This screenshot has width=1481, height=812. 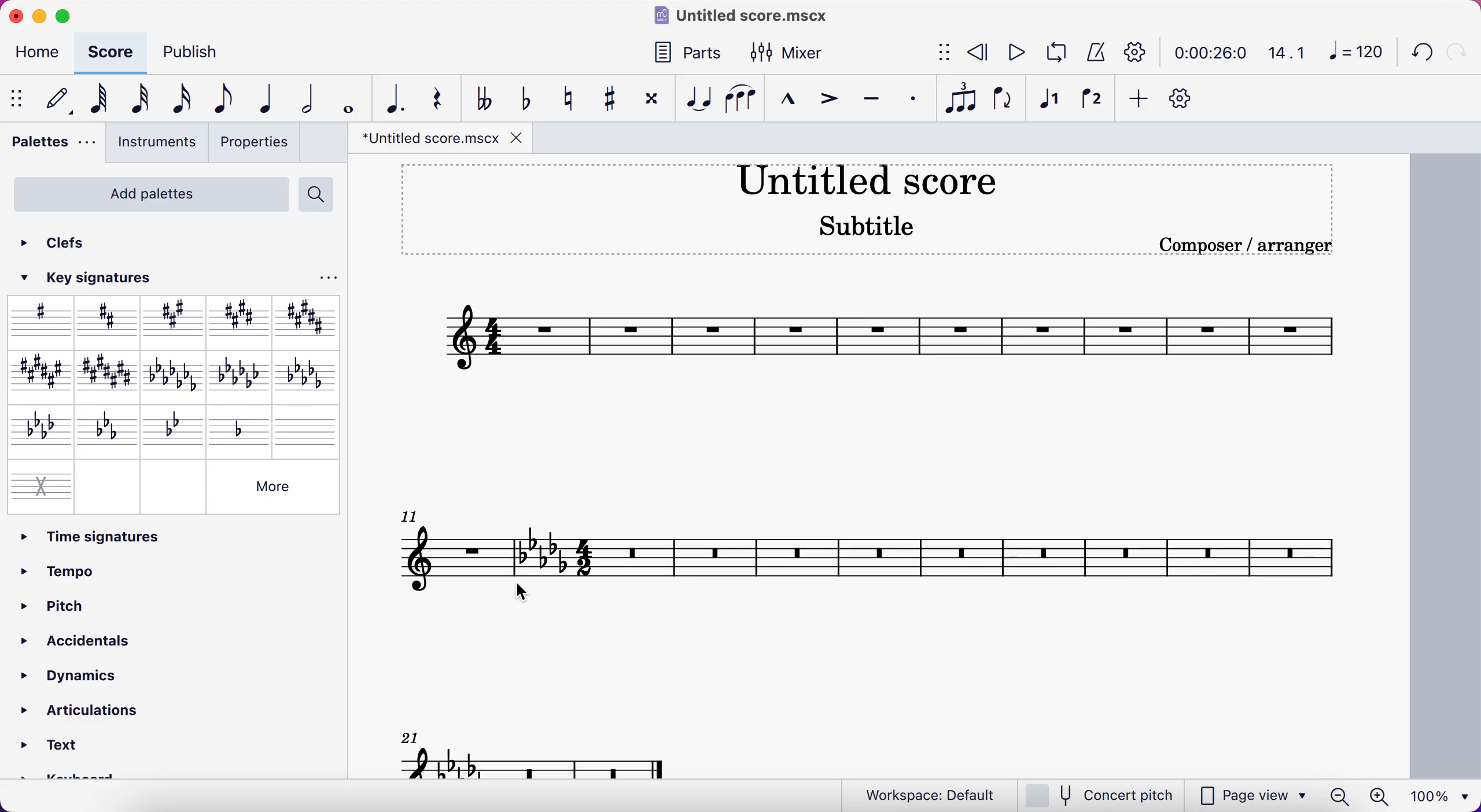 I want to click on toggle natural, so click(x=571, y=101).